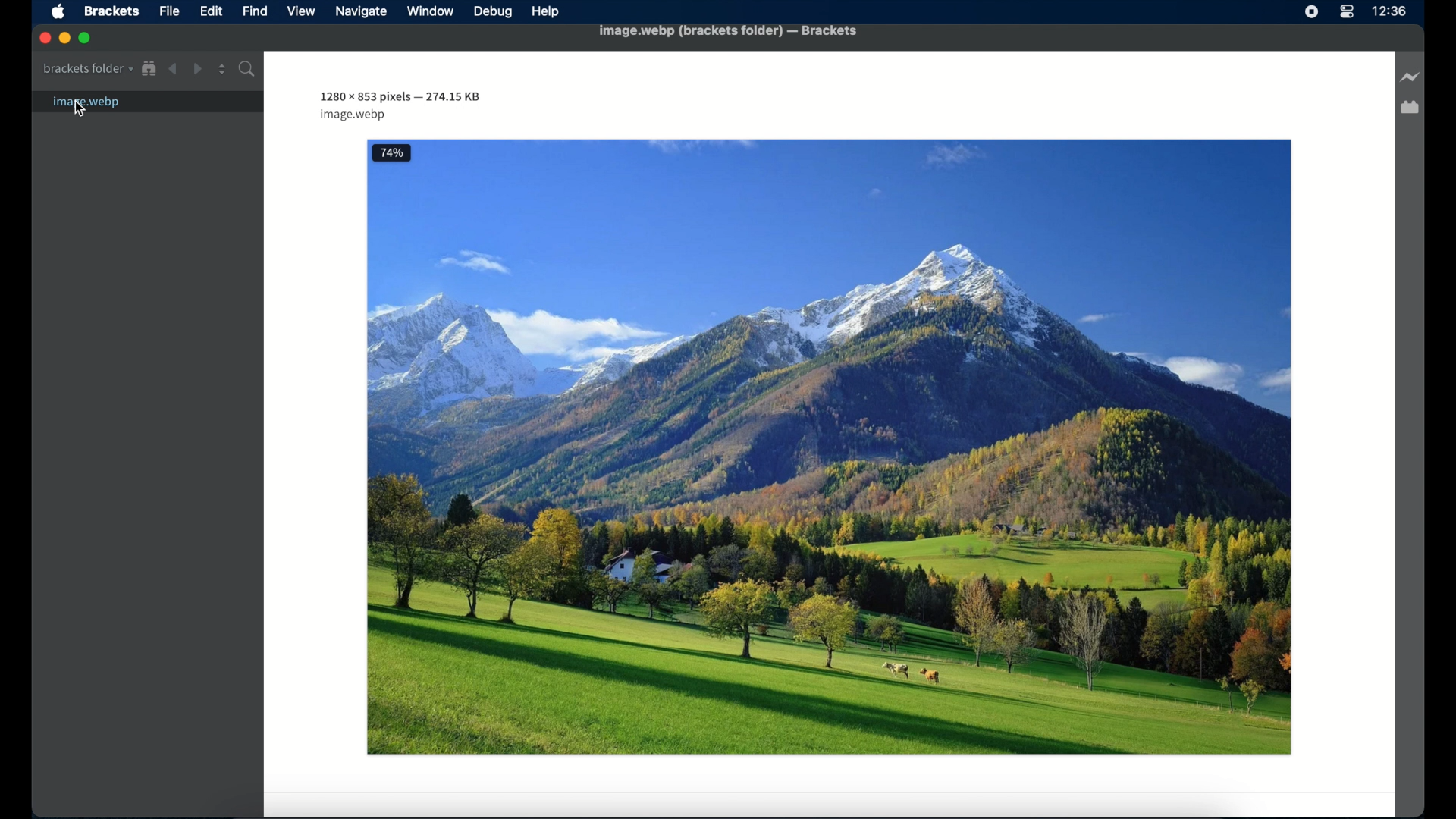 This screenshot has height=819, width=1456. I want to click on control center, so click(1347, 12).